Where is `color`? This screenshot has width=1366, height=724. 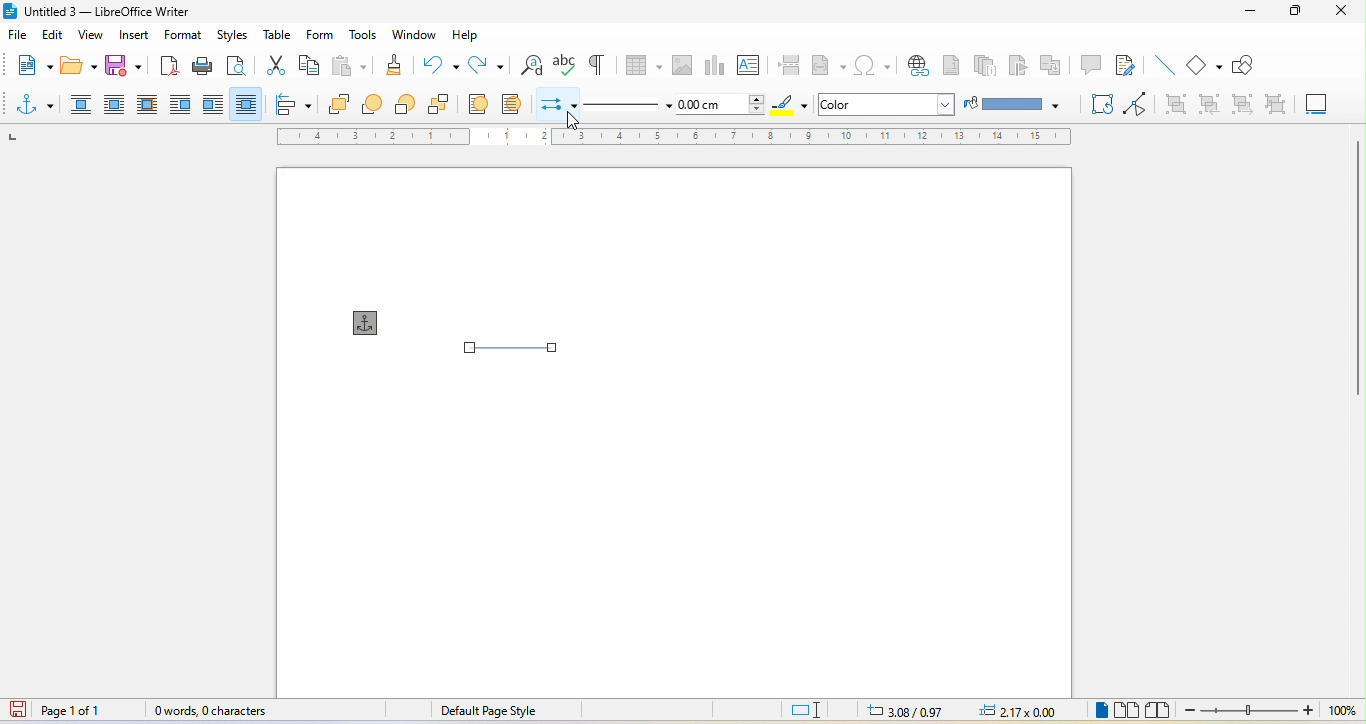 color is located at coordinates (864, 104).